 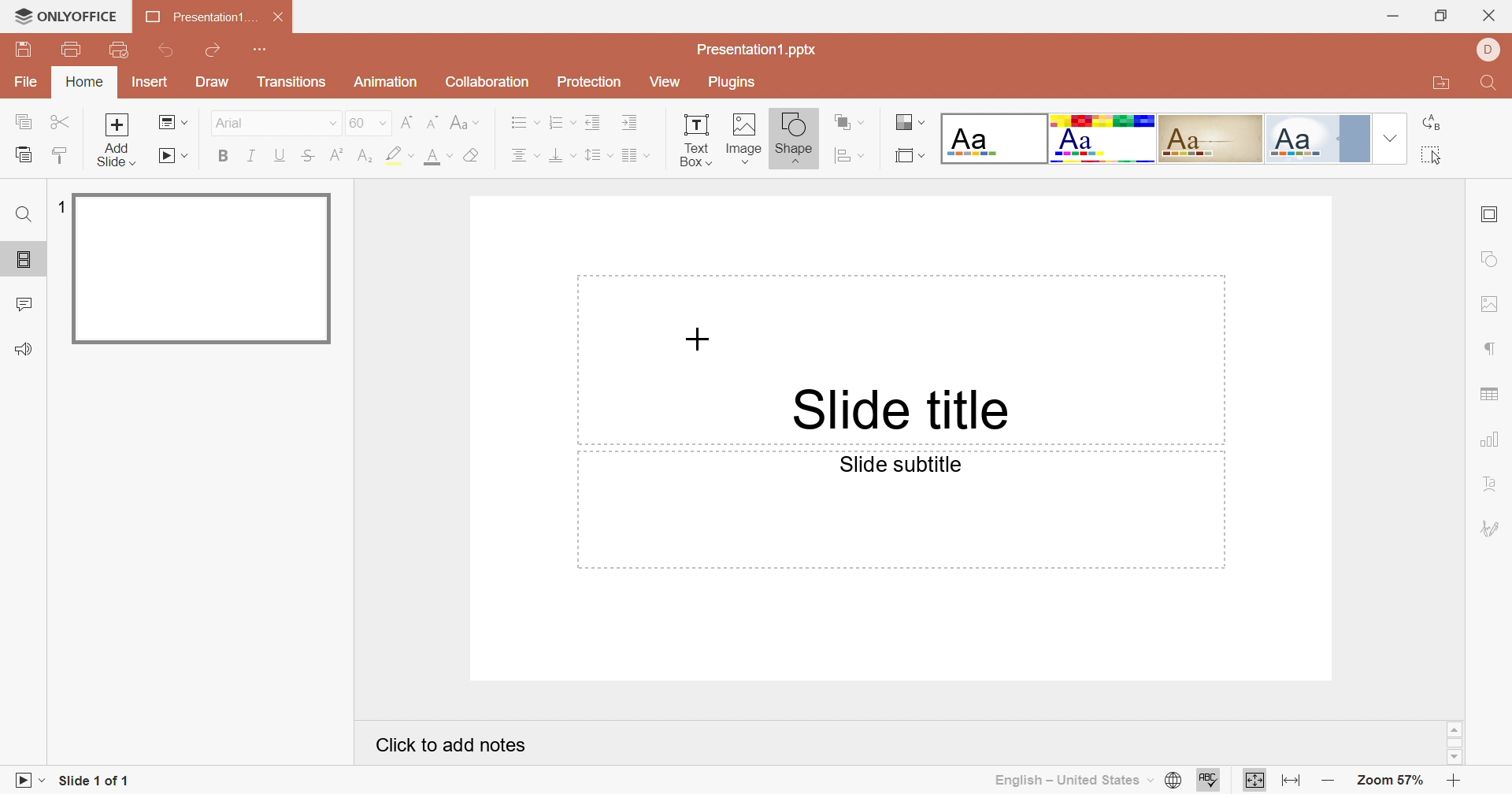 I want to click on Slide subtitle, so click(x=897, y=464).